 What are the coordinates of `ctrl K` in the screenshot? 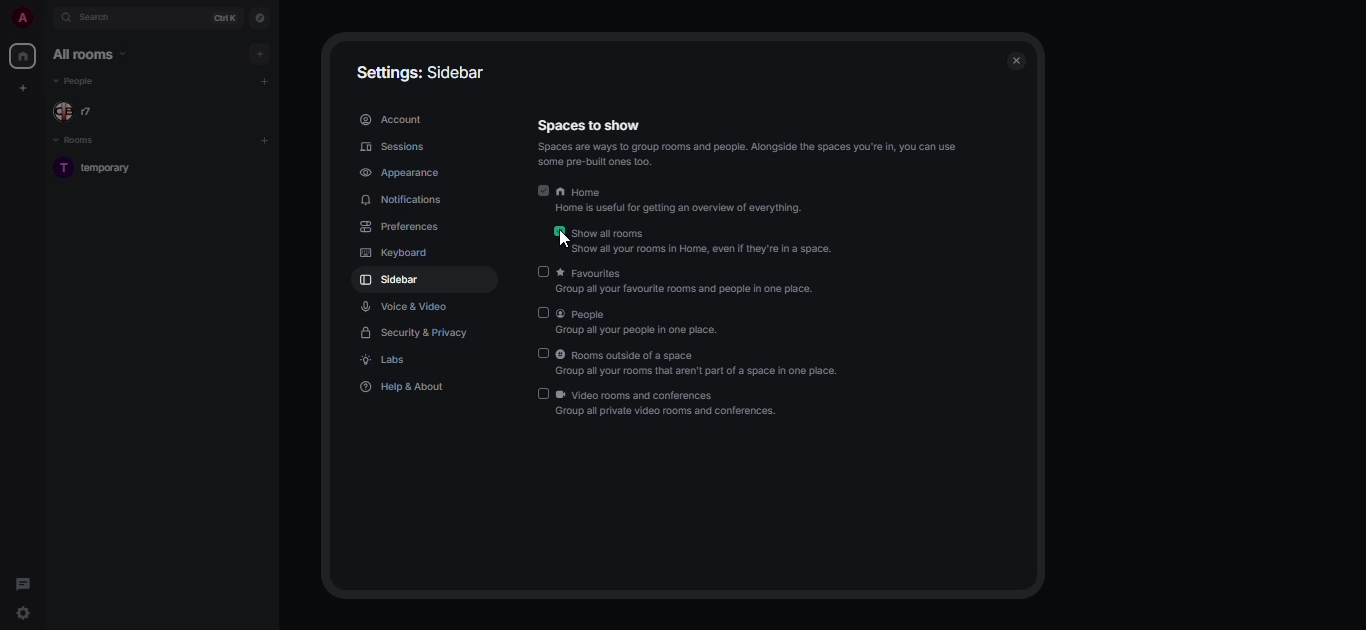 It's located at (221, 17).